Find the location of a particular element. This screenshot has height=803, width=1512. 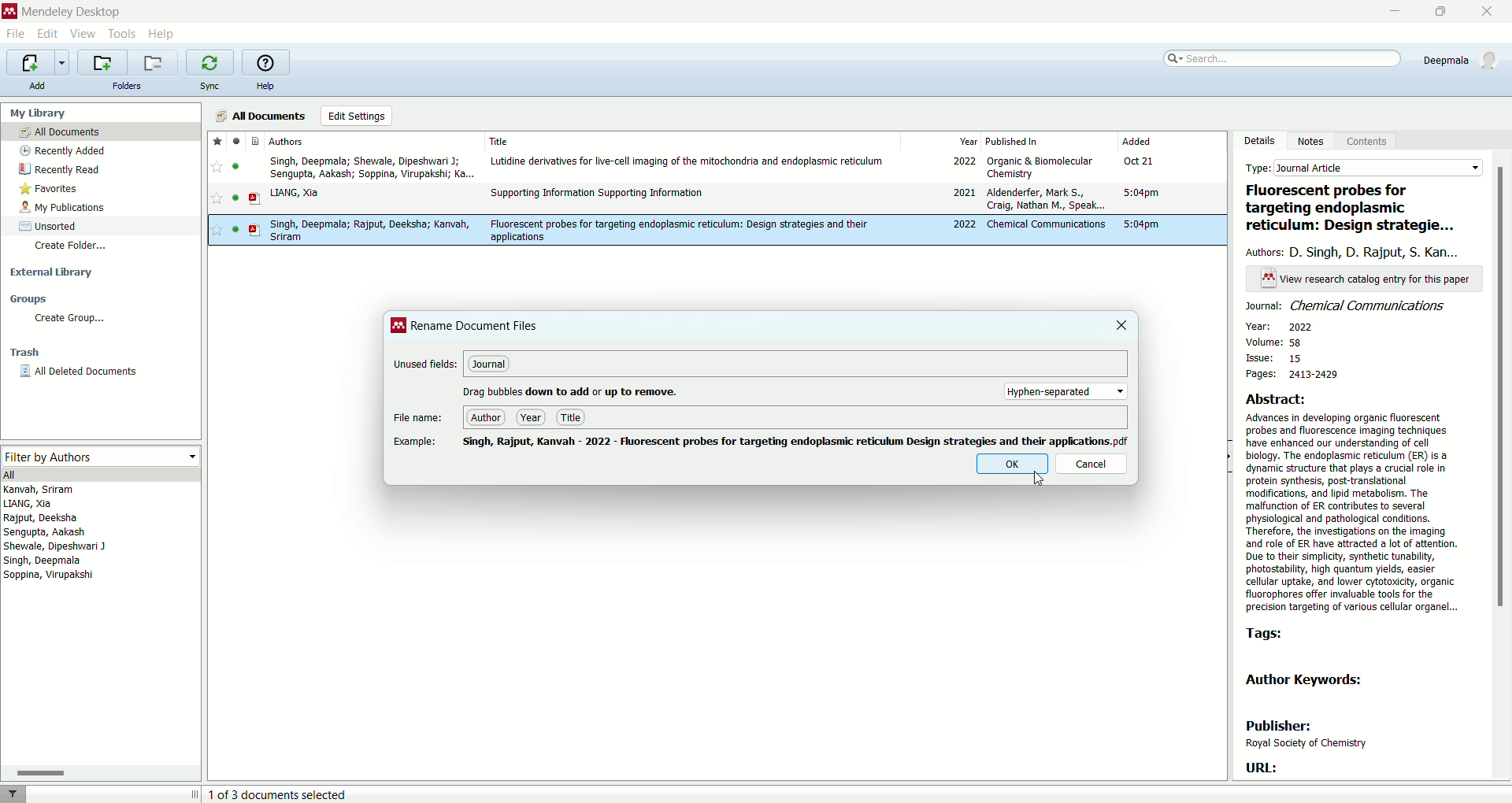

all deleted documents is located at coordinates (79, 371).